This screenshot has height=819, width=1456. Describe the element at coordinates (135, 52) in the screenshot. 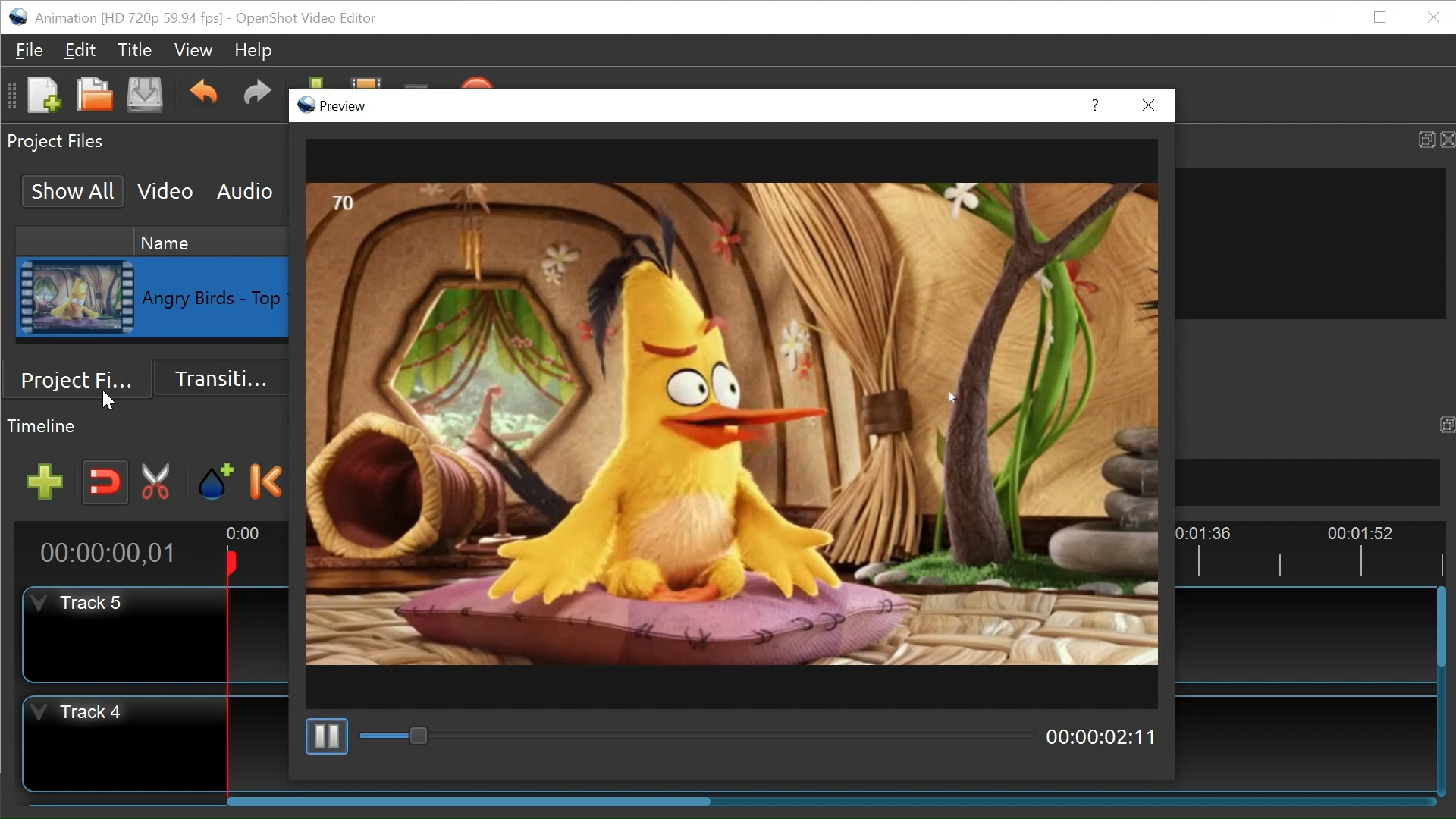

I see `Title` at that location.